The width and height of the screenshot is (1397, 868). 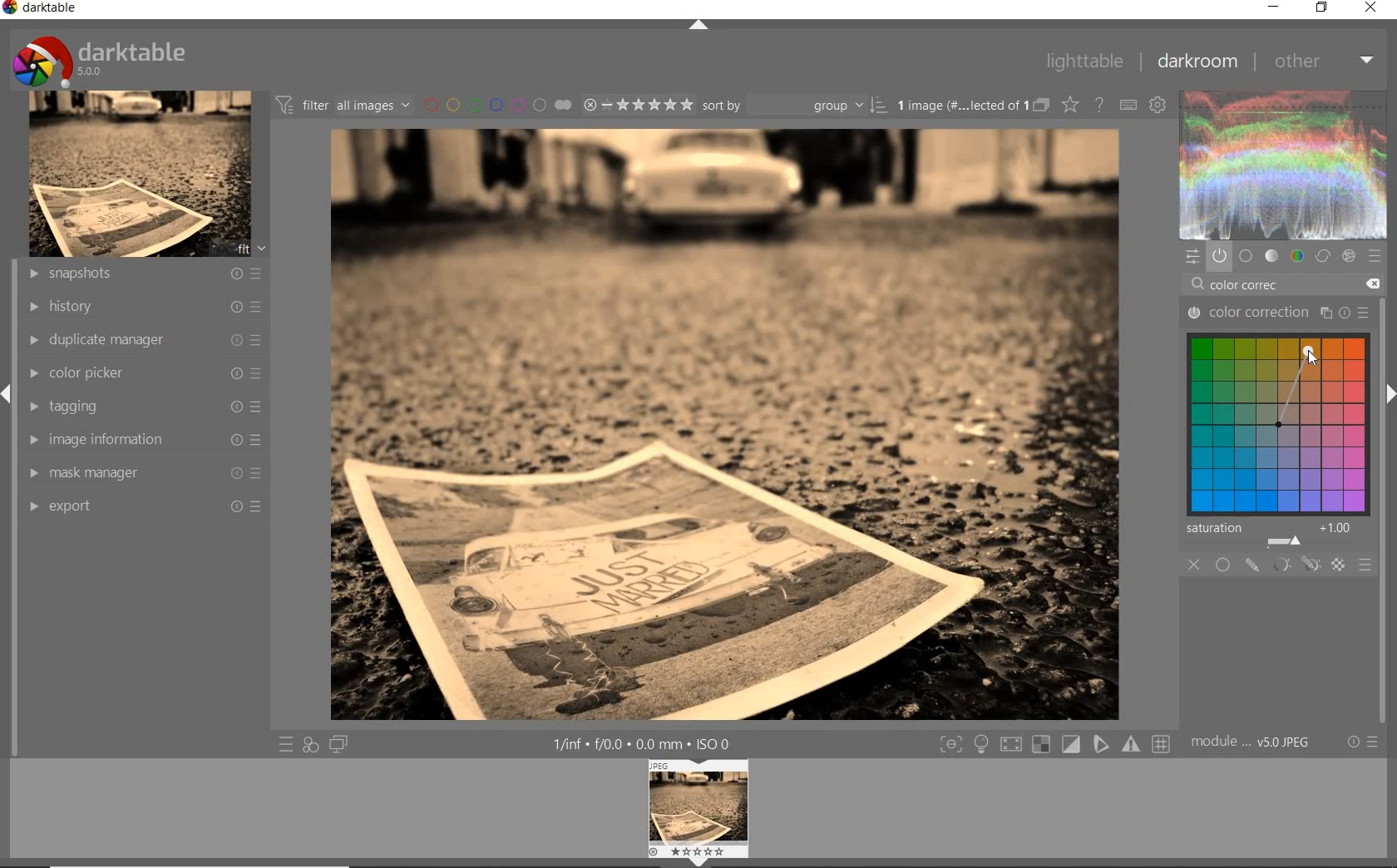 I want to click on color picker, so click(x=146, y=373).